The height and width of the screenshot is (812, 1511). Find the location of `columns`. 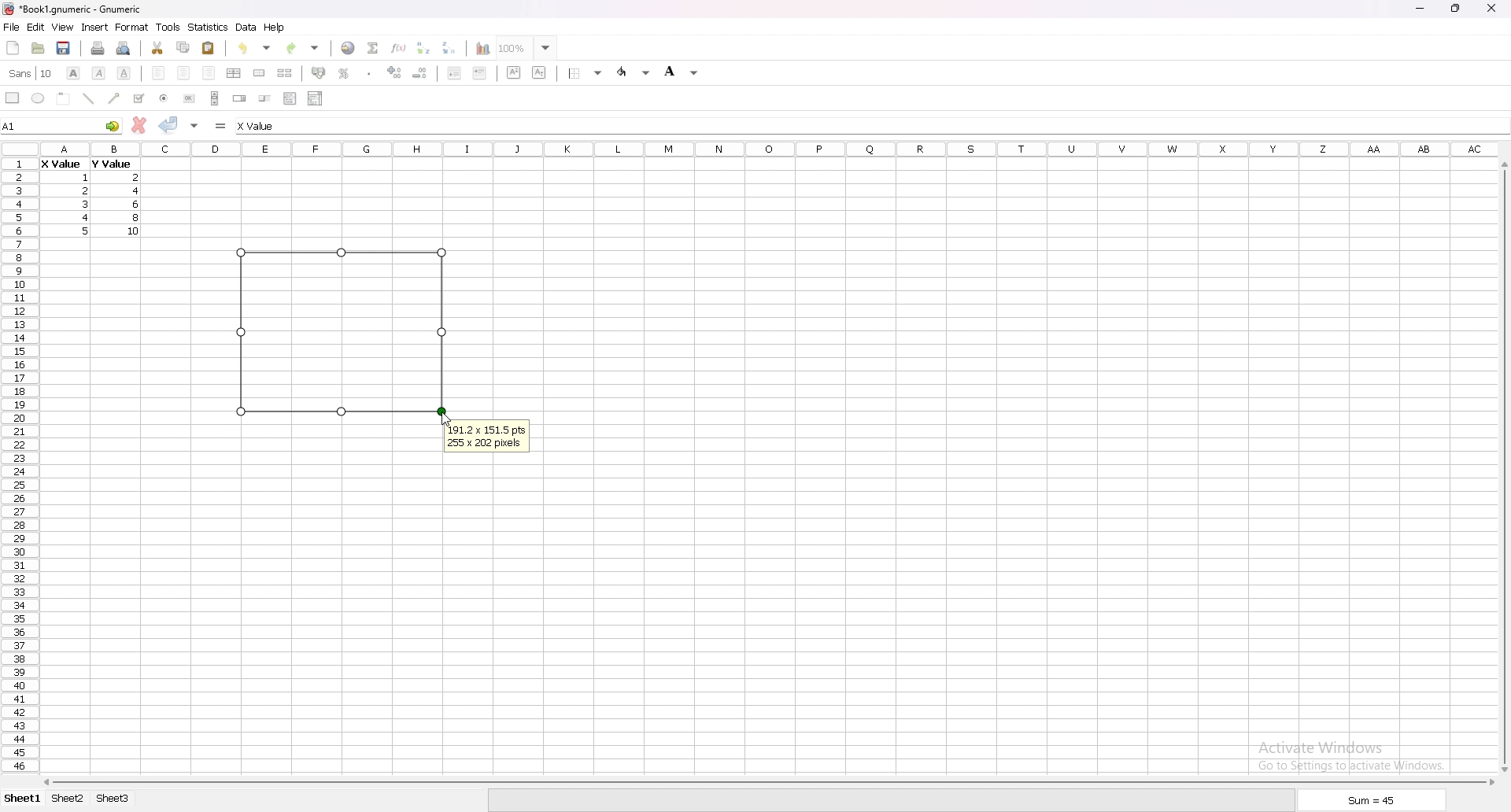

columns is located at coordinates (770, 147).